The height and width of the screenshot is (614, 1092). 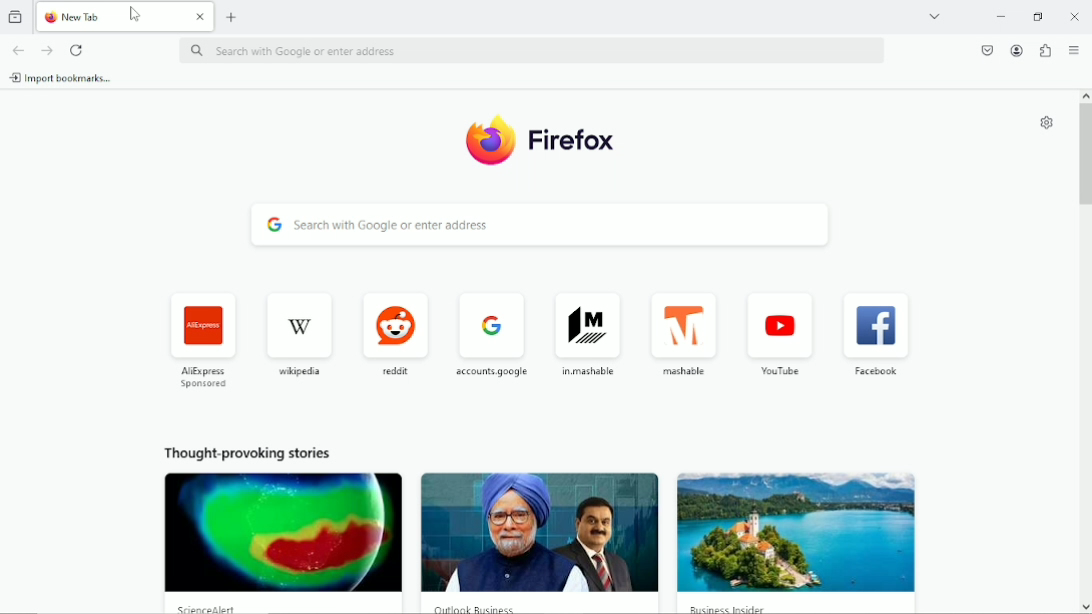 I want to click on View recent browsing, so click(x=16, y=16).